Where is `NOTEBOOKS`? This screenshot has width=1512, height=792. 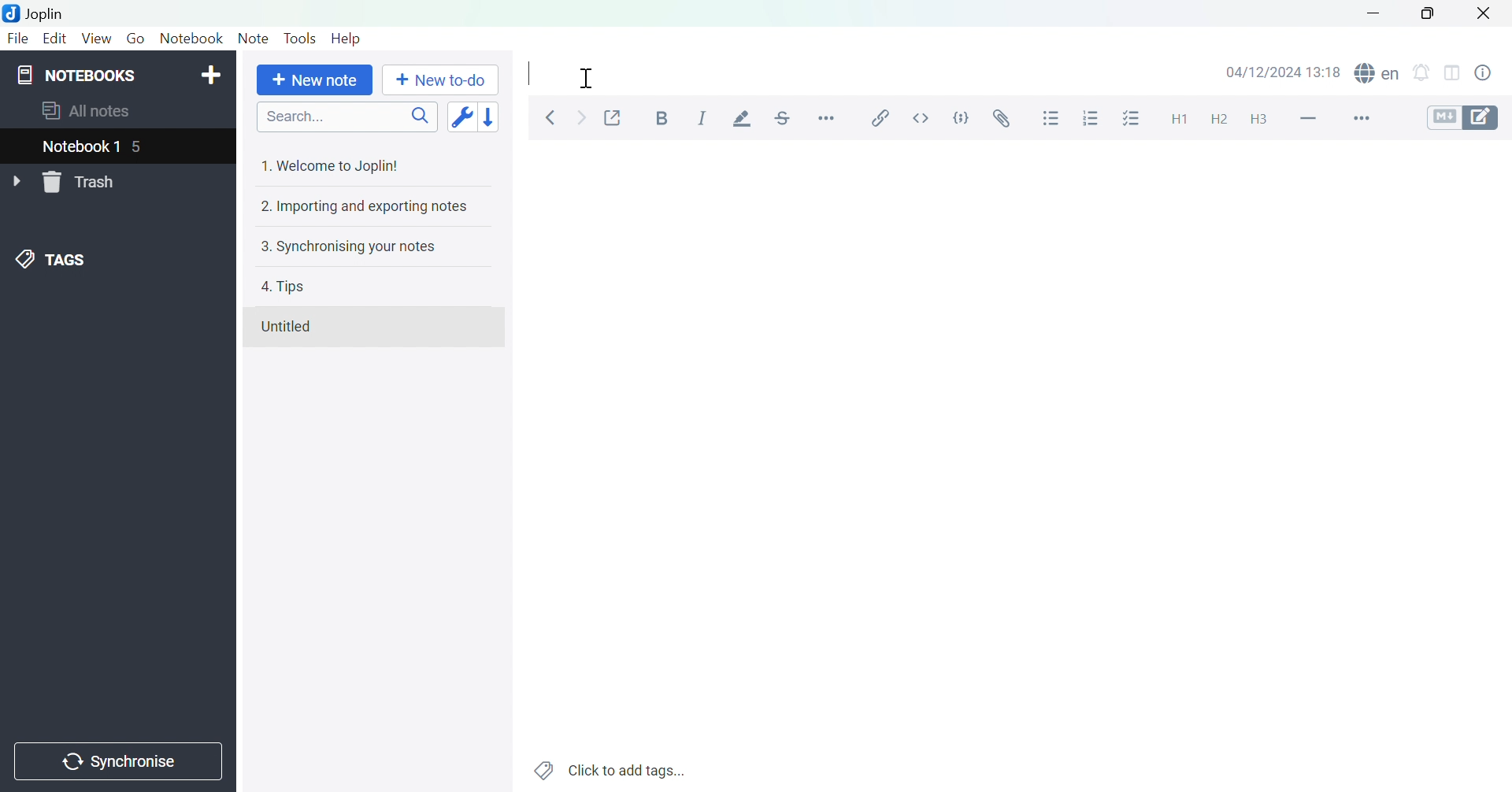 NOTEBOOKS is located at coordinates (78, 75).